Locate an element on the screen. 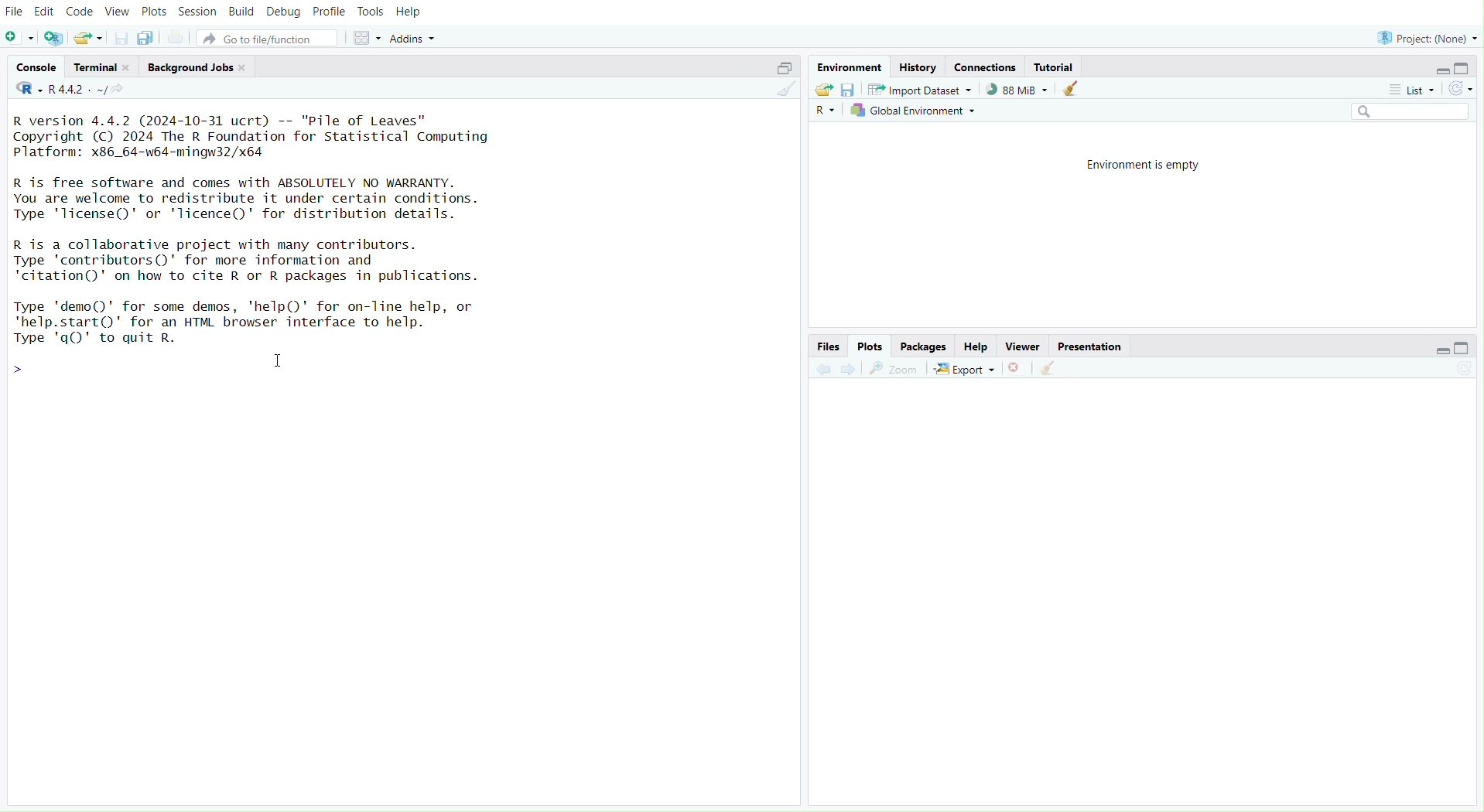  Clear console (Ctrl +L) is located at coordinates (1075, 88).